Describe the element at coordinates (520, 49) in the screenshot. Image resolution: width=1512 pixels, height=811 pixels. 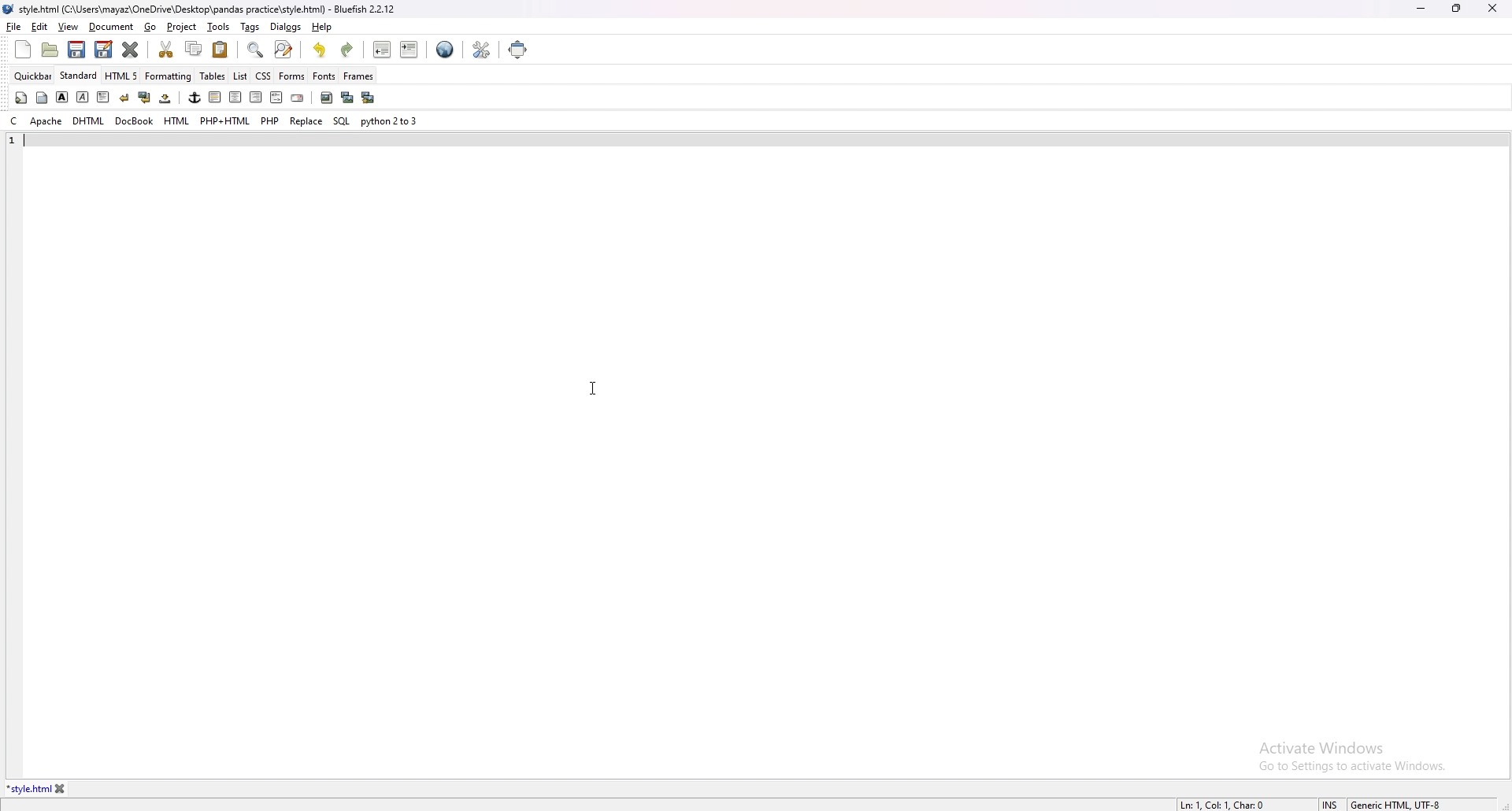
I see `full screen` at that location.